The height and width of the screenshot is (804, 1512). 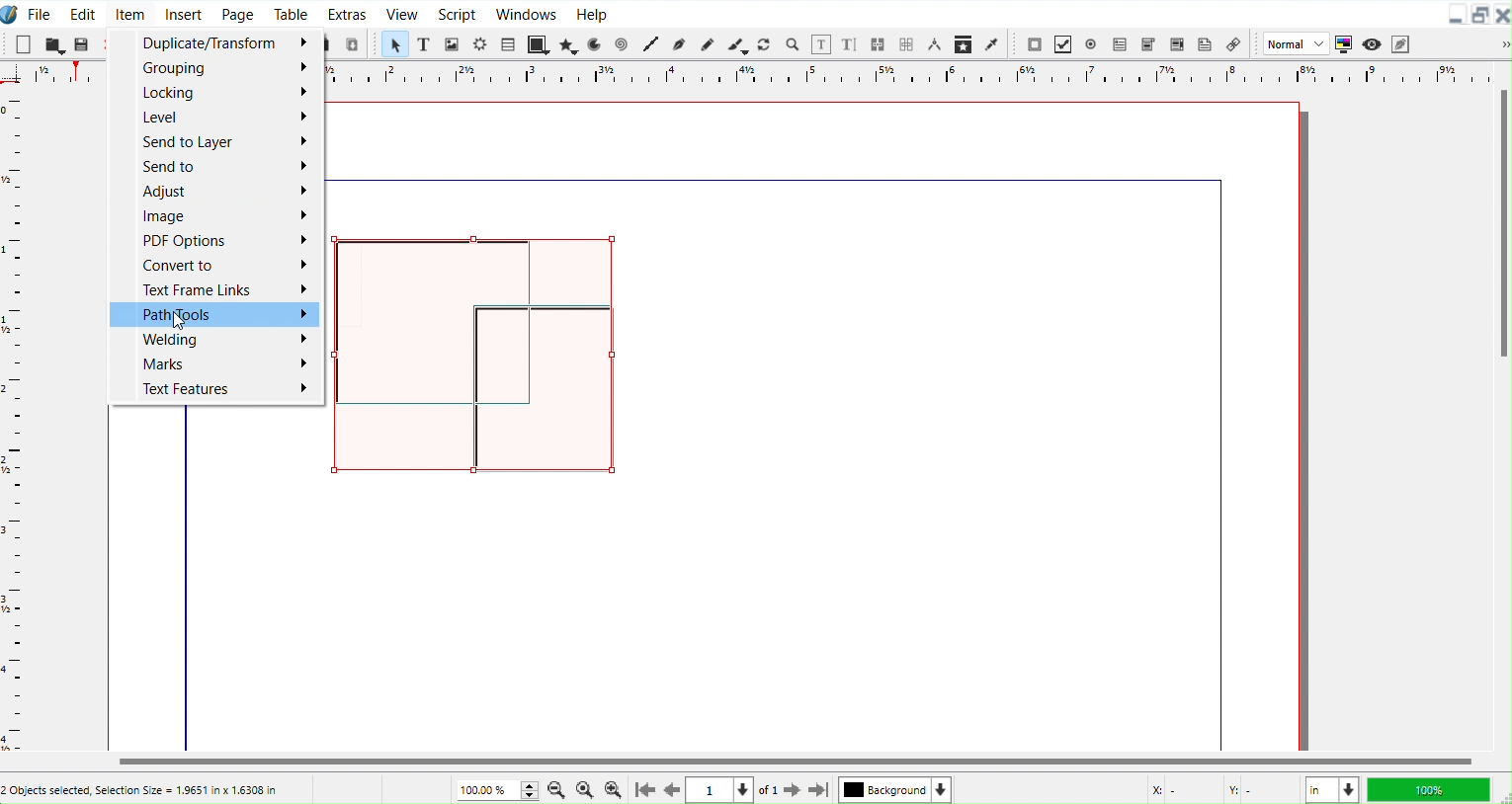 What do you see at coordinates (643, 790) in the screenshot?
I see `Go to First Page` at bounding box center [643, 790].